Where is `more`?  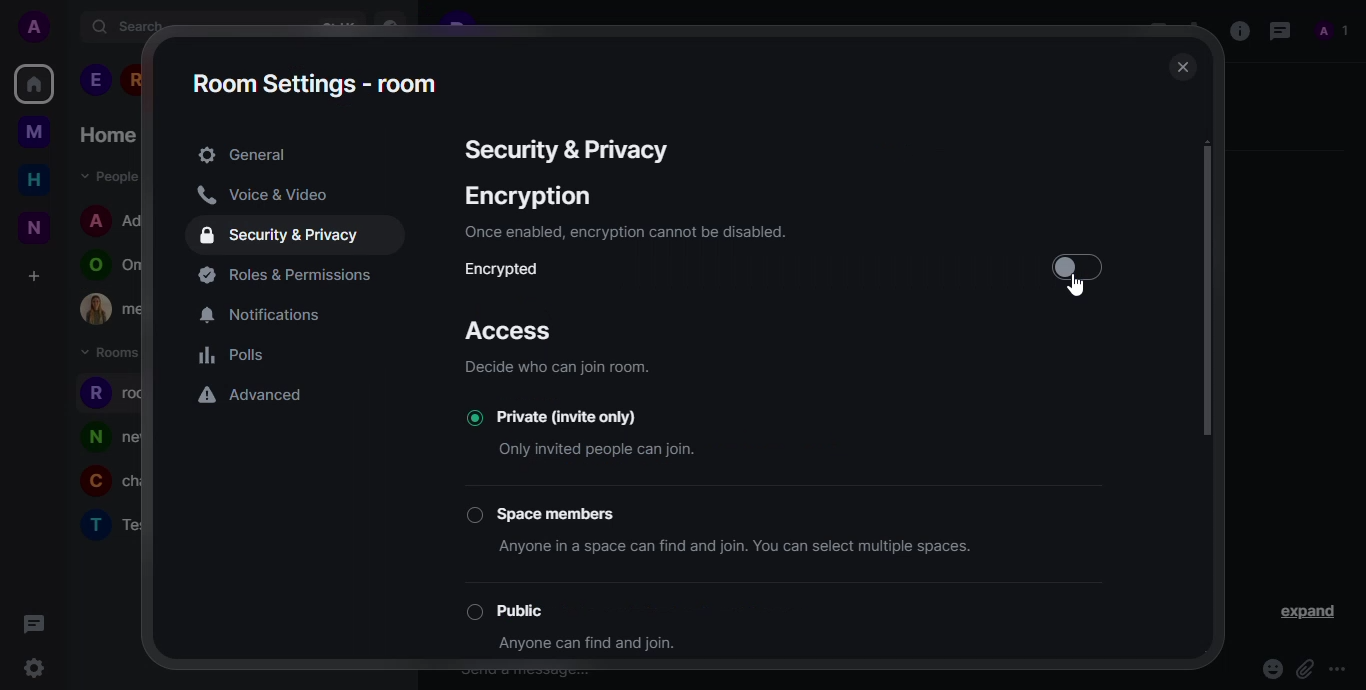 more is located at coordinates (1341, 669).